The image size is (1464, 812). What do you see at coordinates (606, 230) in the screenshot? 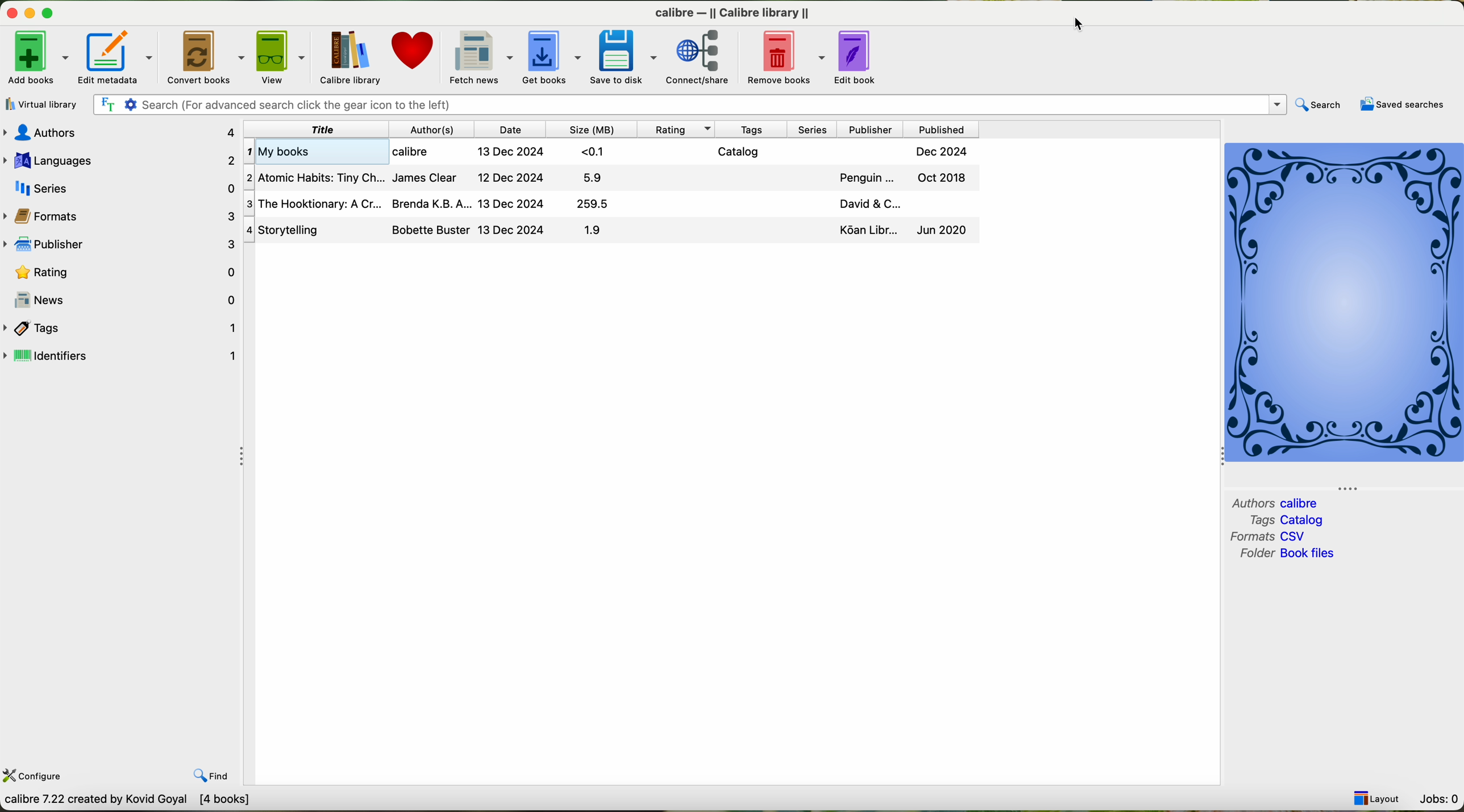
I see `Storytelling book details` at bounding box center [606, 230].